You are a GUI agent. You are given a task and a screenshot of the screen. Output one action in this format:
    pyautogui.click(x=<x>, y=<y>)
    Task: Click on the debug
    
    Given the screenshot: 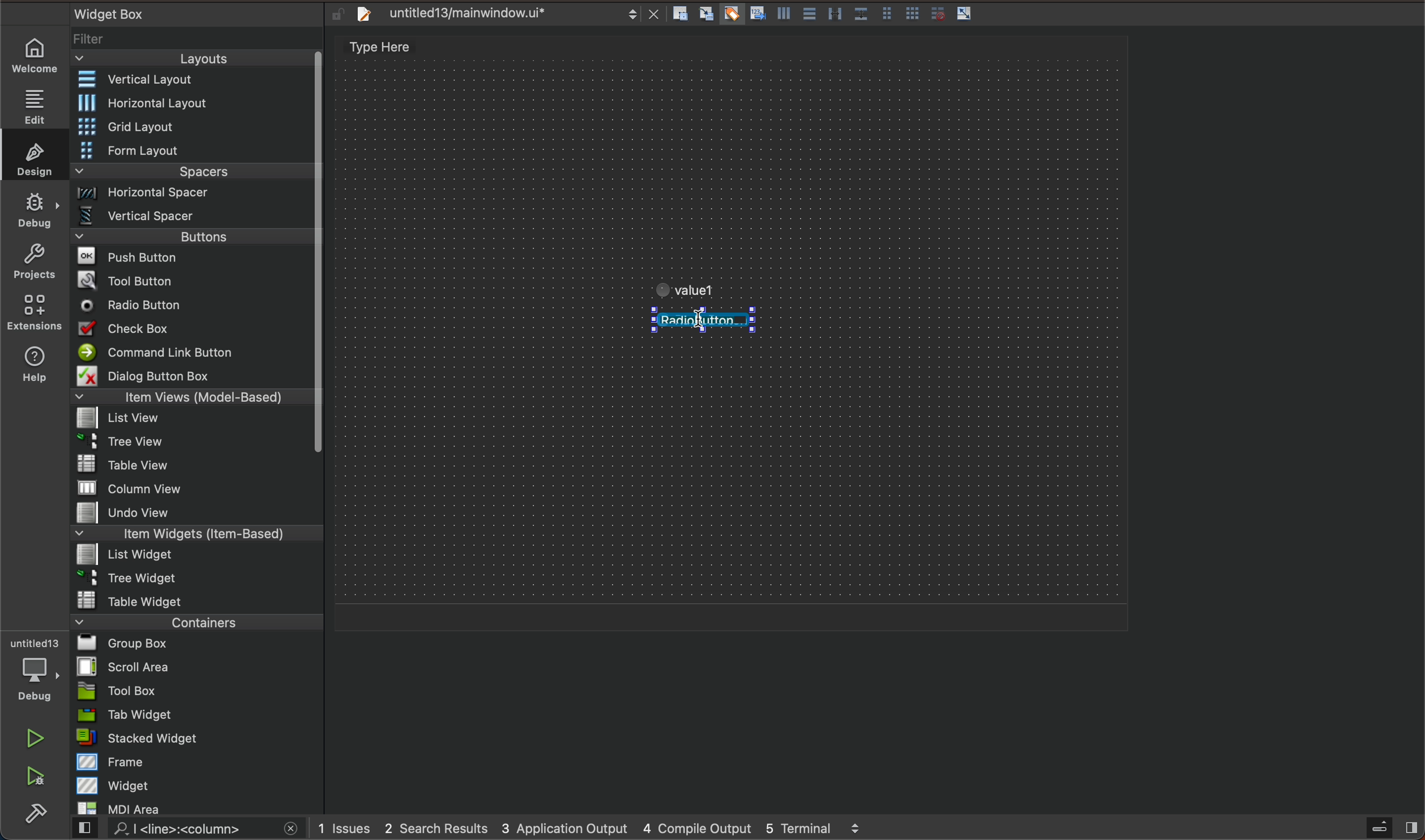 What is the action you would take?
    pyautogui.click(x=41, y=671)
    